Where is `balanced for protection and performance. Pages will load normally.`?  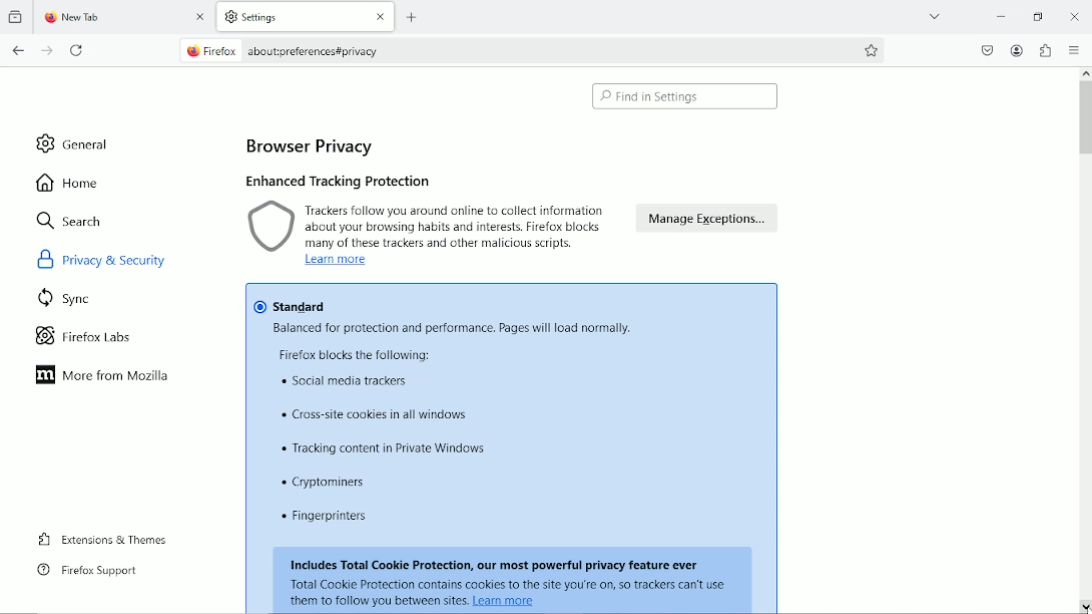
balanced for protection and performance. Pages will load normally. is located at coordinates (449, 331).